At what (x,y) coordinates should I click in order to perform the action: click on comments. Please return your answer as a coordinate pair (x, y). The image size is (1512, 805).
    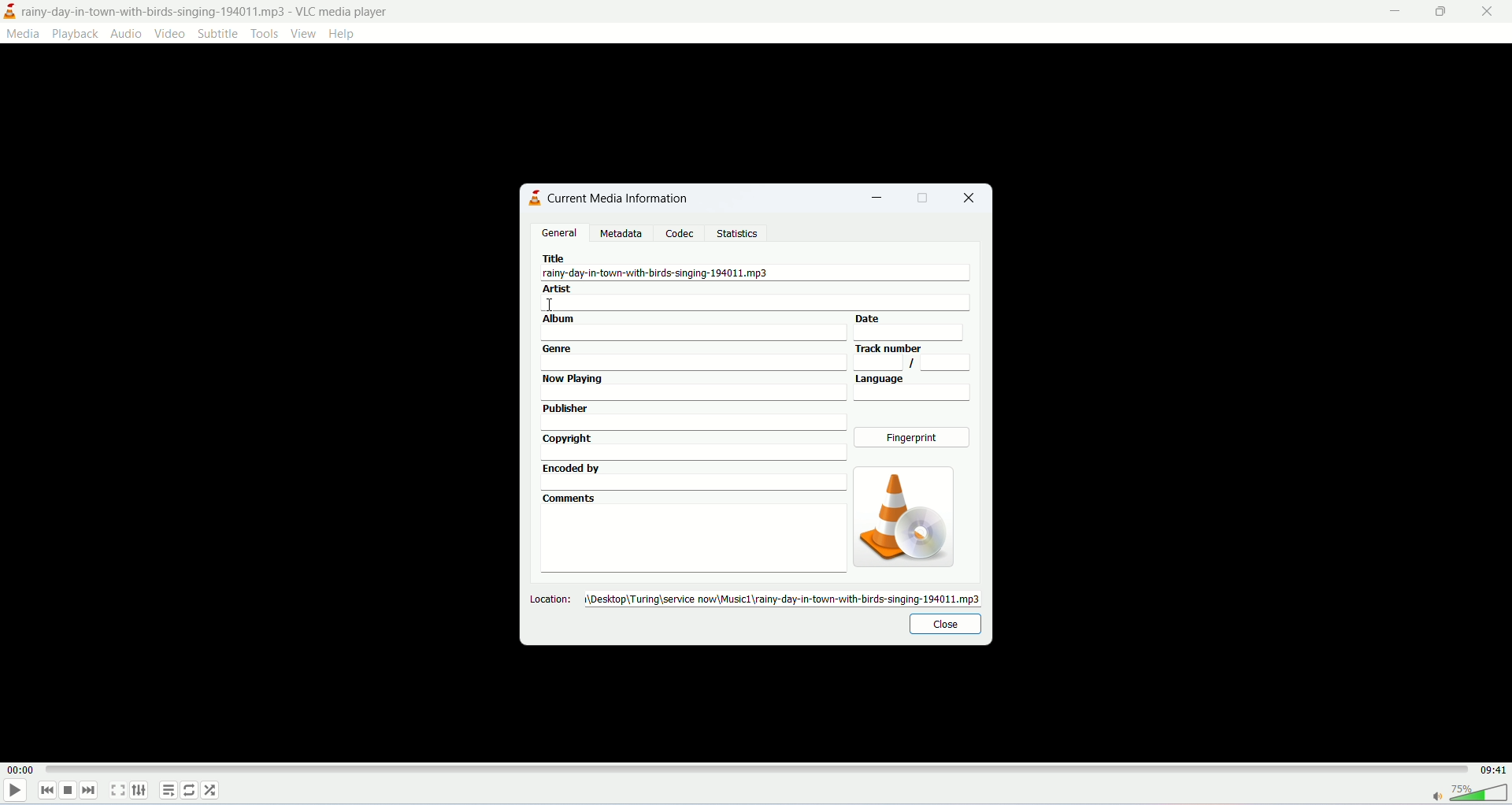
    Looking at the image, I should click on (691, 532).